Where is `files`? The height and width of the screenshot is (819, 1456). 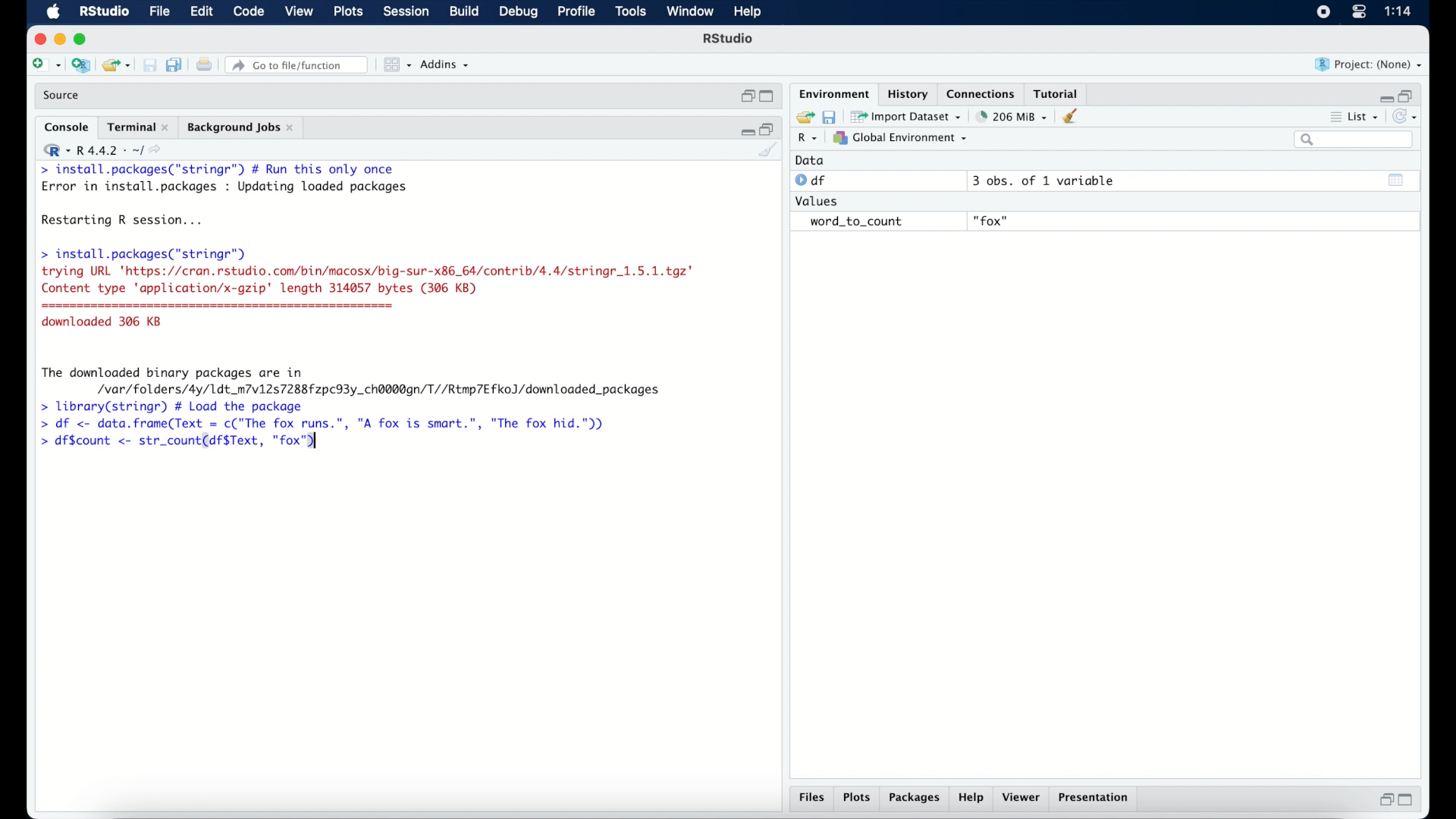 files is located at coordinates (814, 798).